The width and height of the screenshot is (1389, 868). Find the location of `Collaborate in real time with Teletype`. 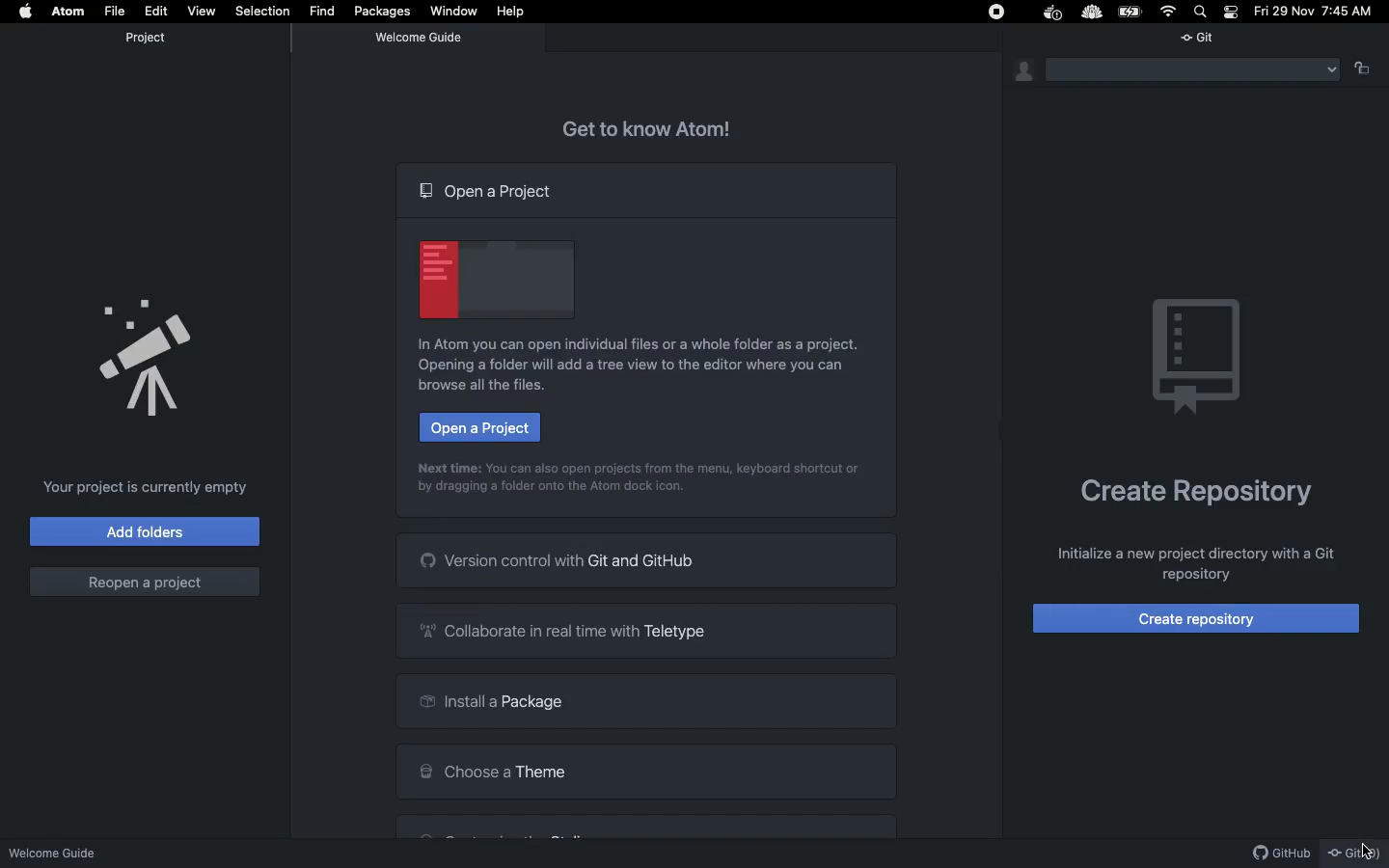

Collaborate in real time with Teletype is located at coordinates (643, 630).